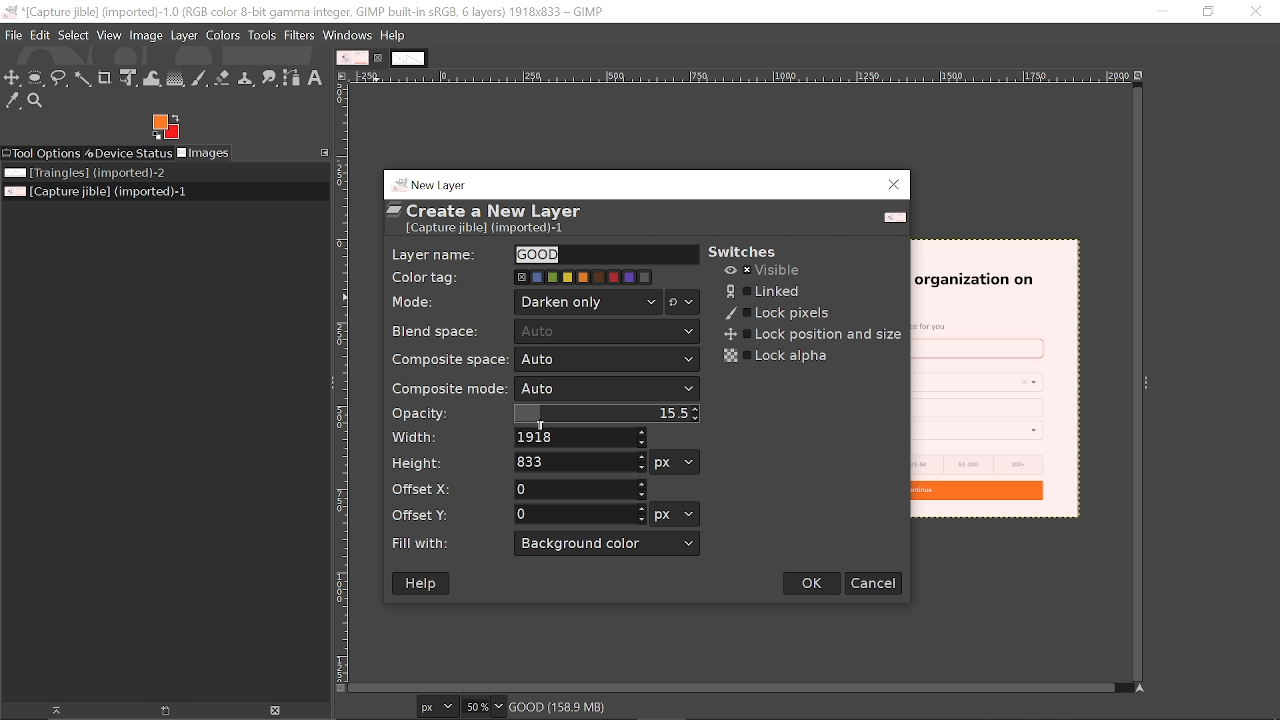 The height and width of the screenshot is (720, 1280). I want to click on Configure this tab, so click(322, 152).